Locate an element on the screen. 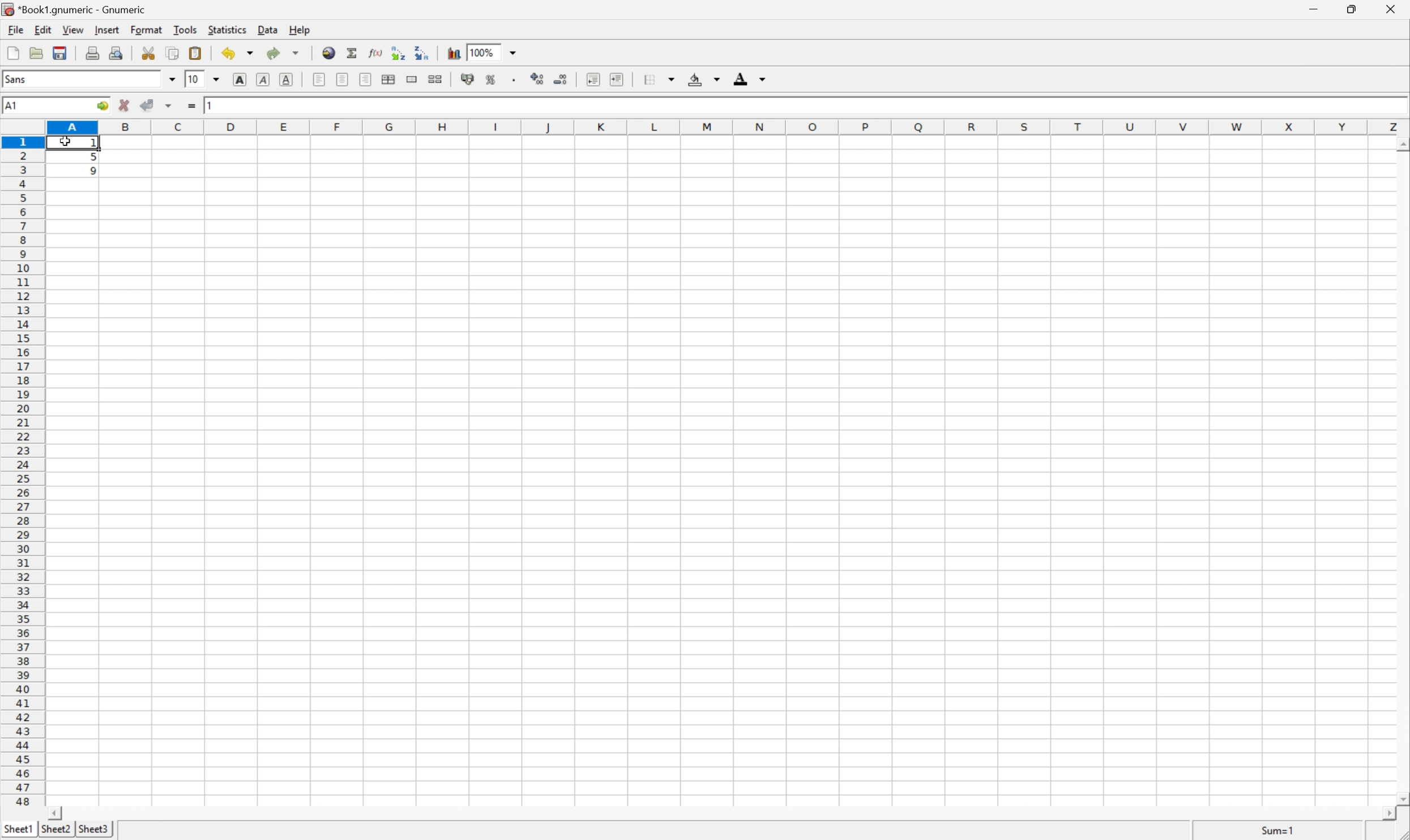  drop down is located at coordinates (516, 52).